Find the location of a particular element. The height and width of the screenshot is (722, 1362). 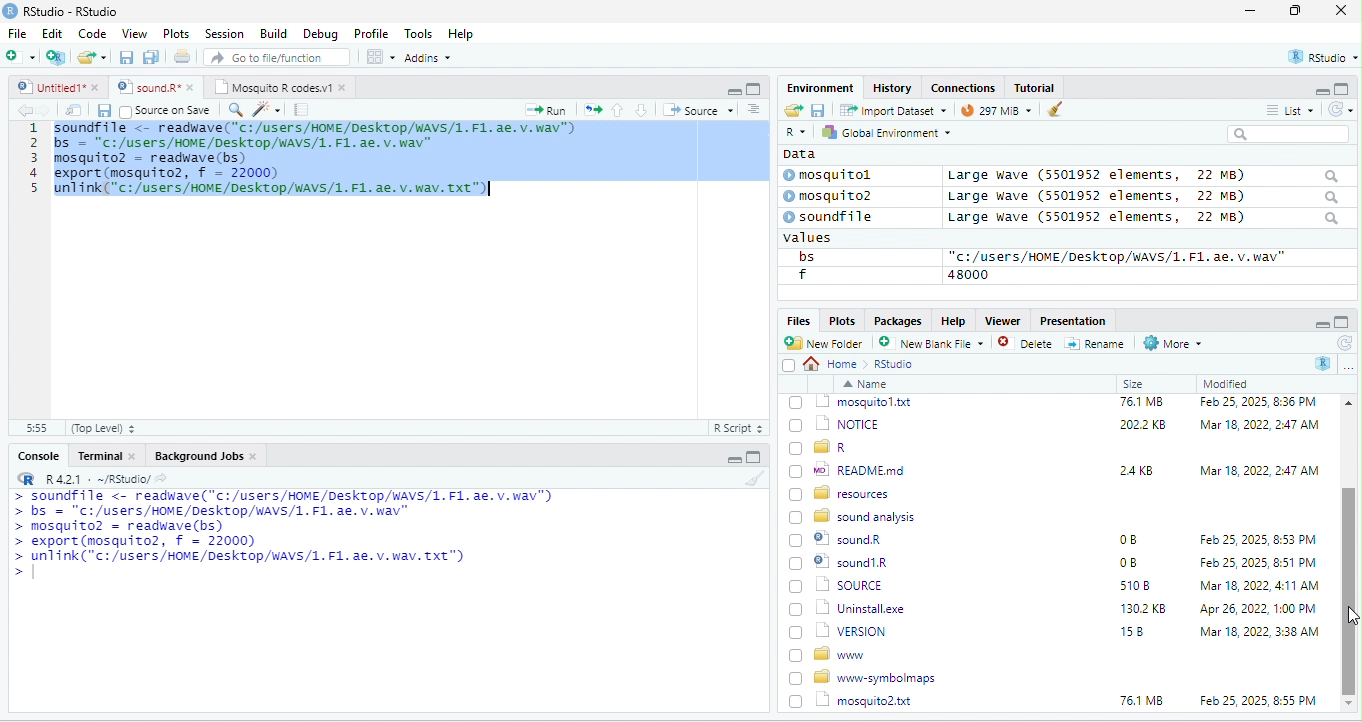

New Folder is located at coordinates (828, 343).